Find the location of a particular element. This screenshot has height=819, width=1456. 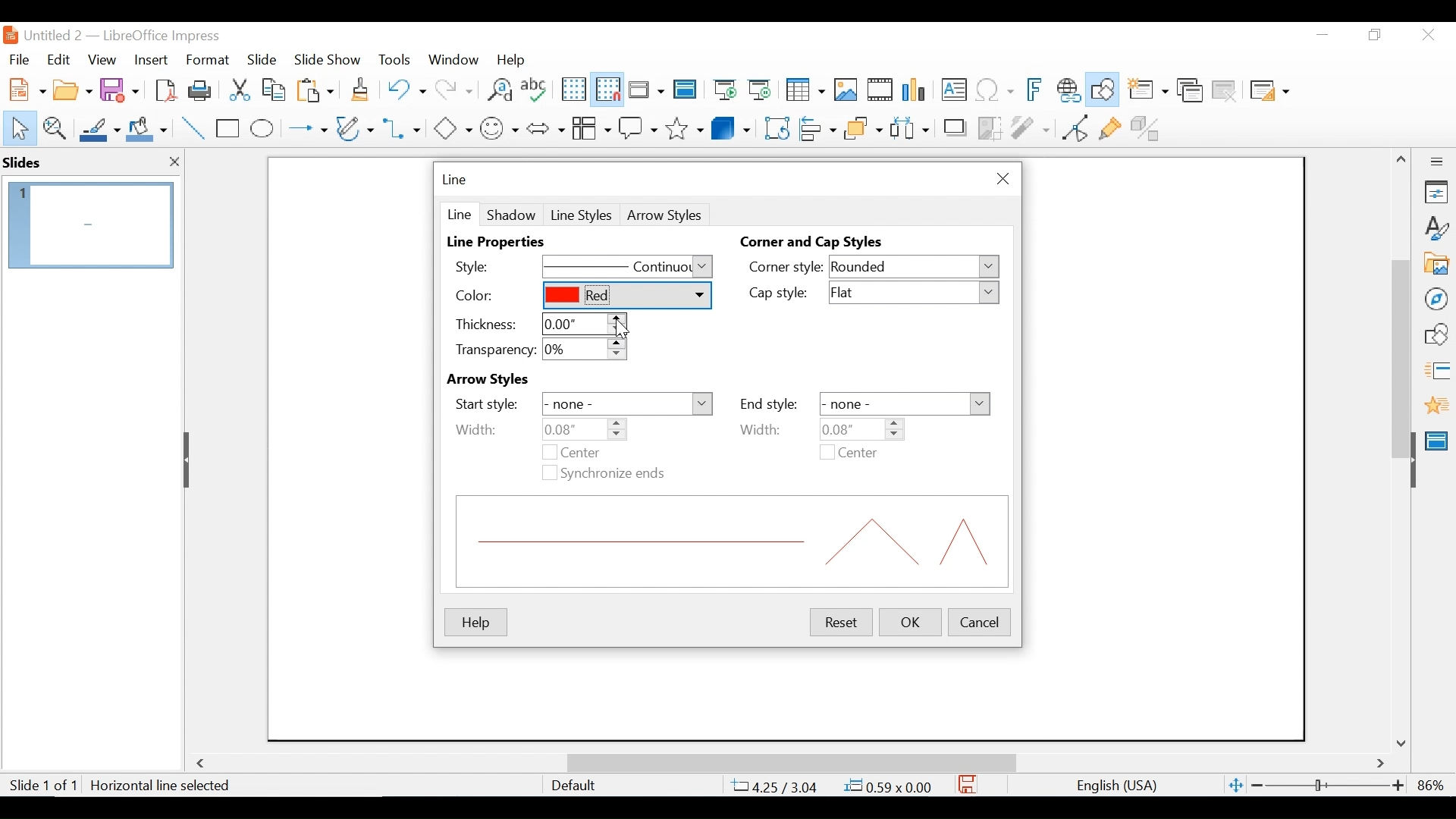

Scroll Right is located at coordinates (1381, 764).